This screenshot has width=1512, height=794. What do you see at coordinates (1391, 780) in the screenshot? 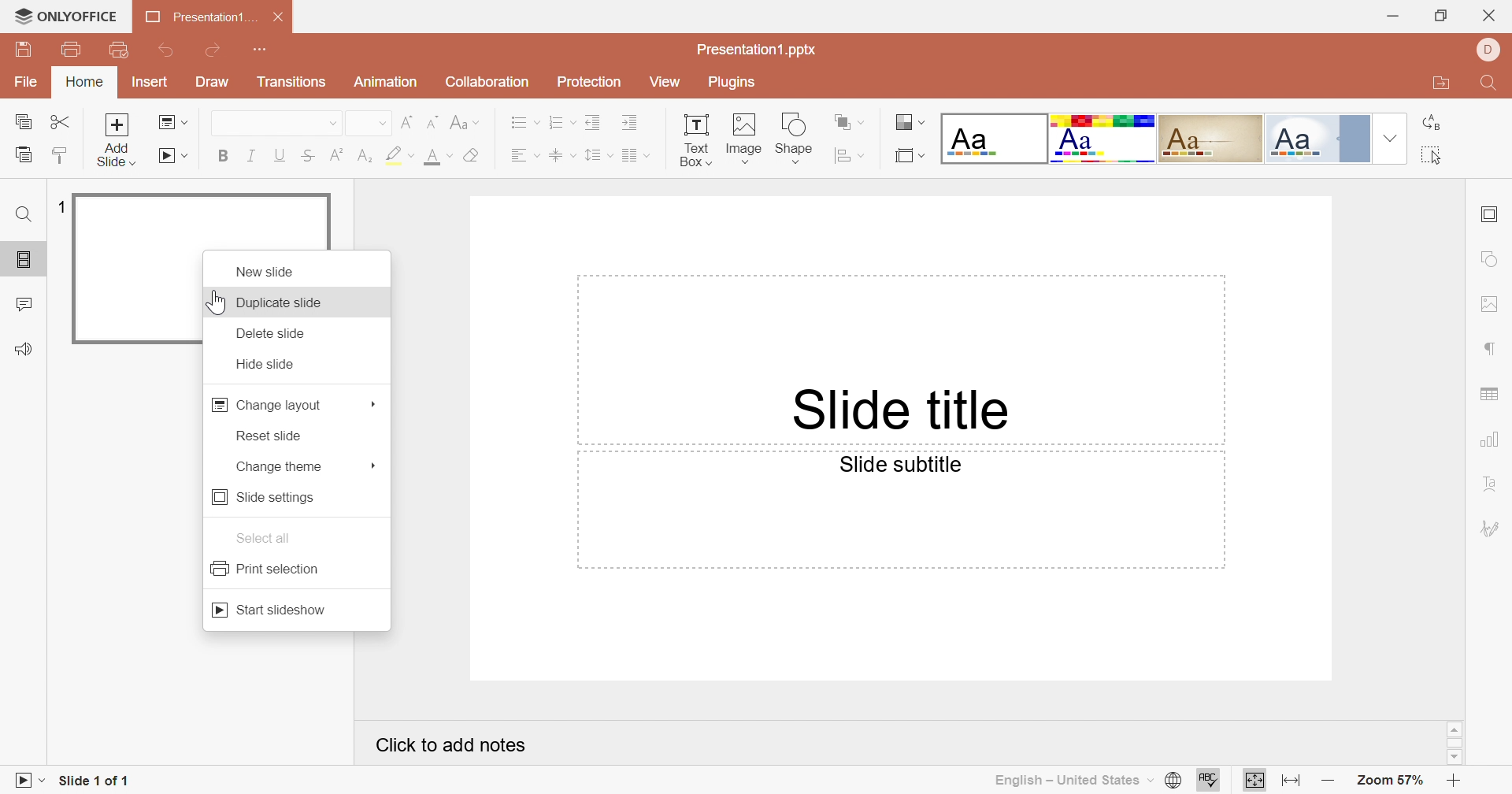
I see `Zoom 57%` at bounding box center [1391, 780].